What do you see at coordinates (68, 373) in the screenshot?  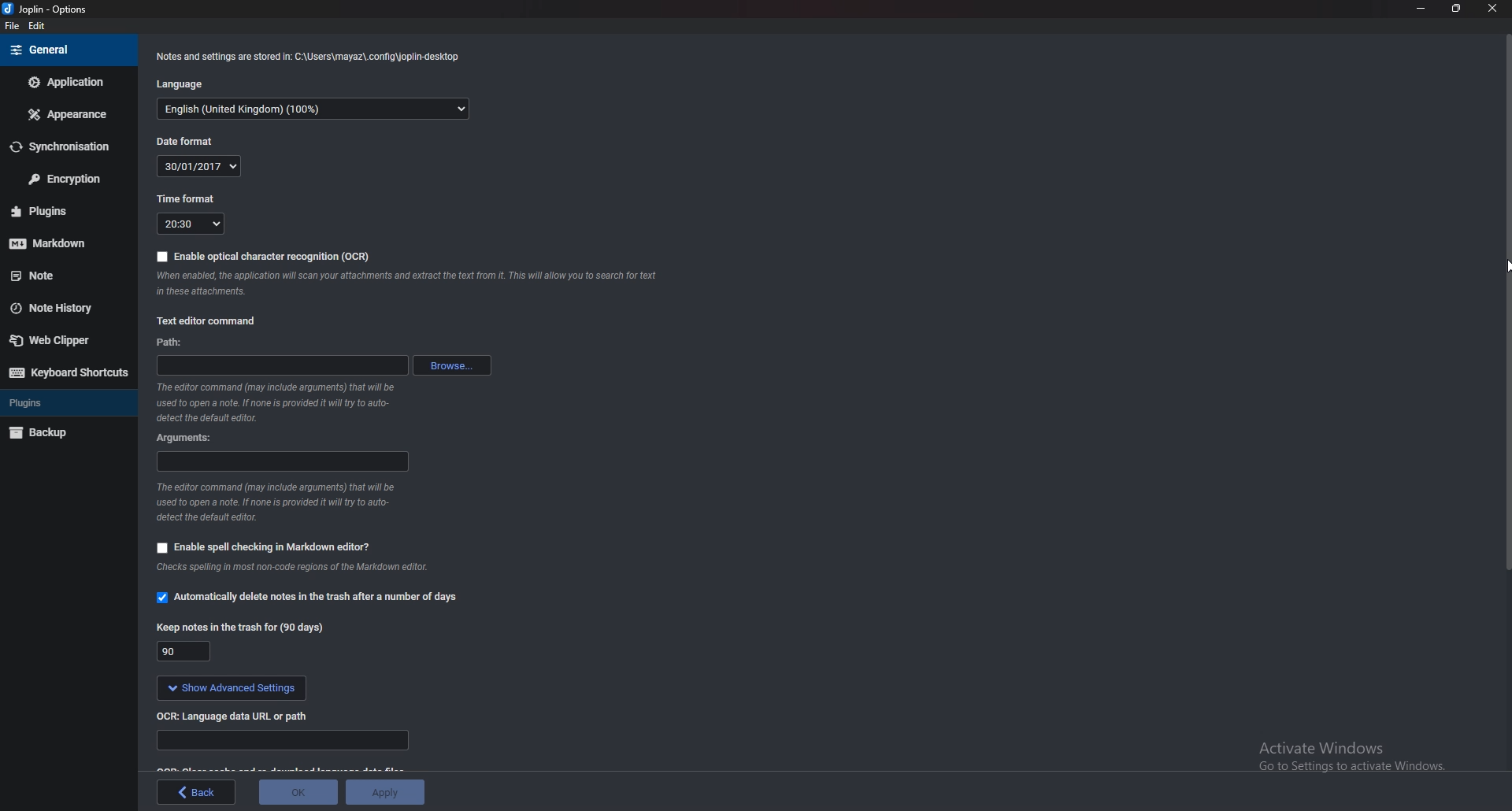 I see `Keyboard shortcuts` at bounding box center [68, 373].